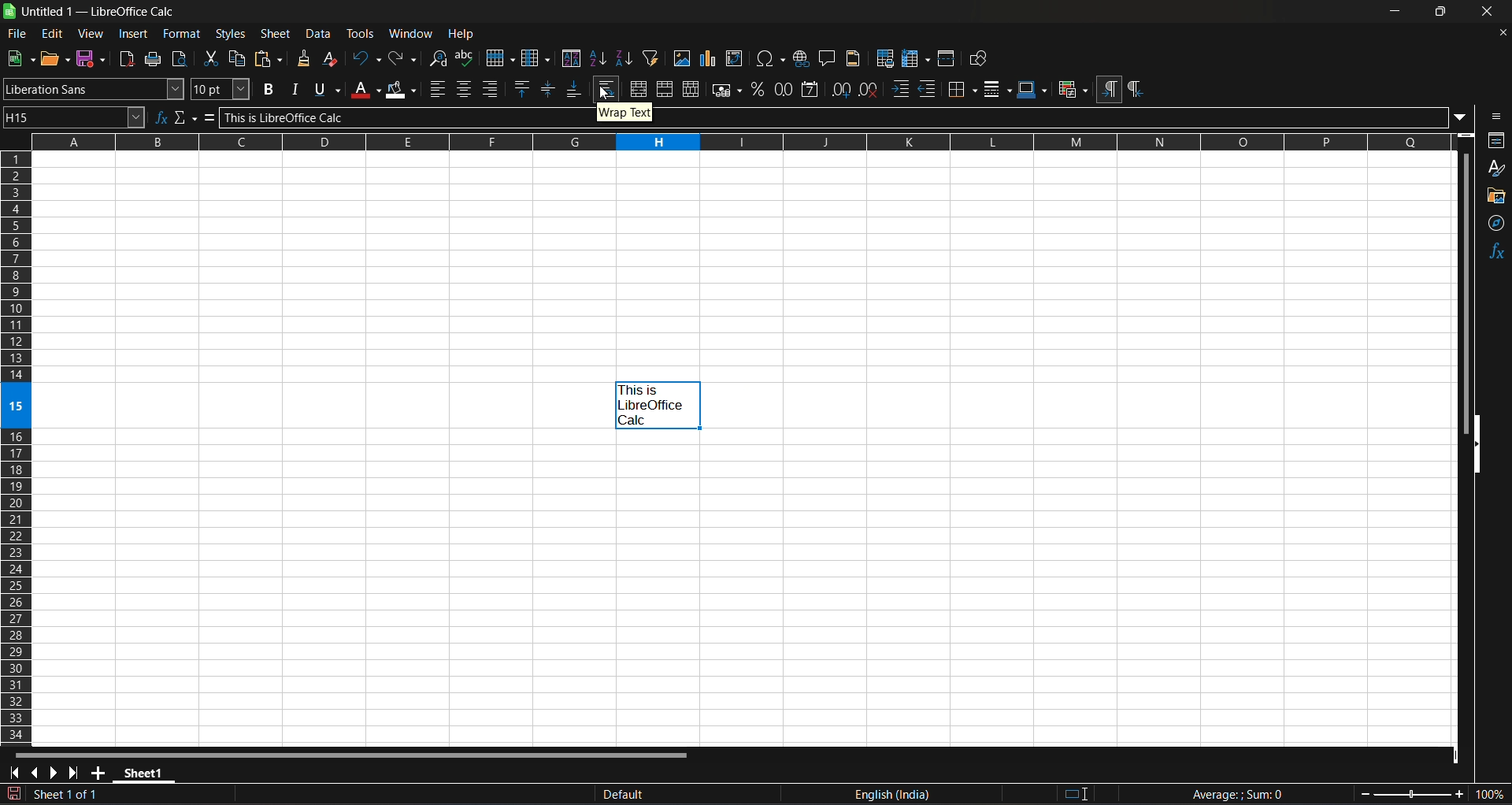  What do you see at coordinates (575, 87) in the screenshot?
I see `align bottom` at bounding box center [575, 87].